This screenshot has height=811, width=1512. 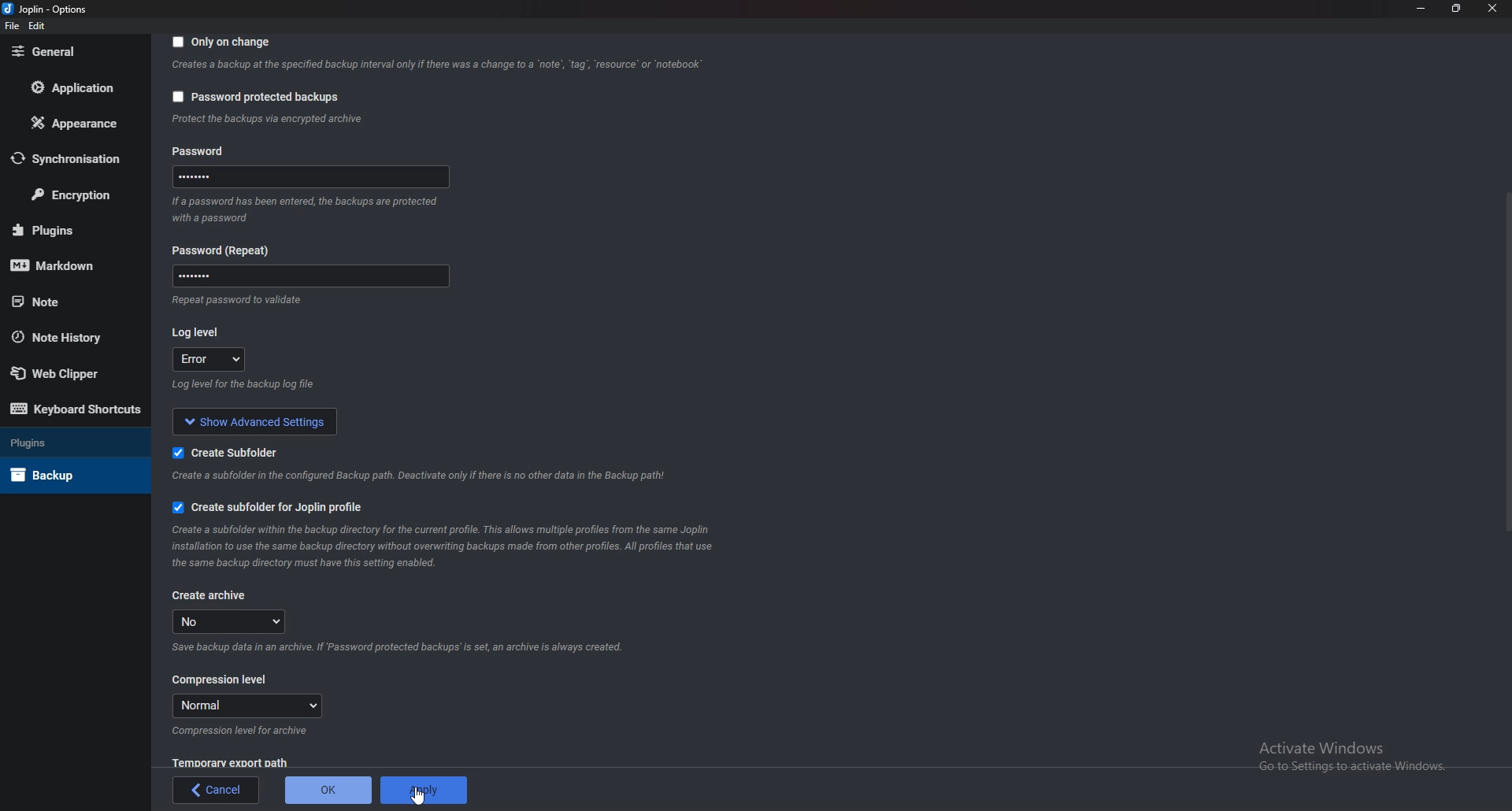 I want to click on Log level, so click(x=198, y=330).